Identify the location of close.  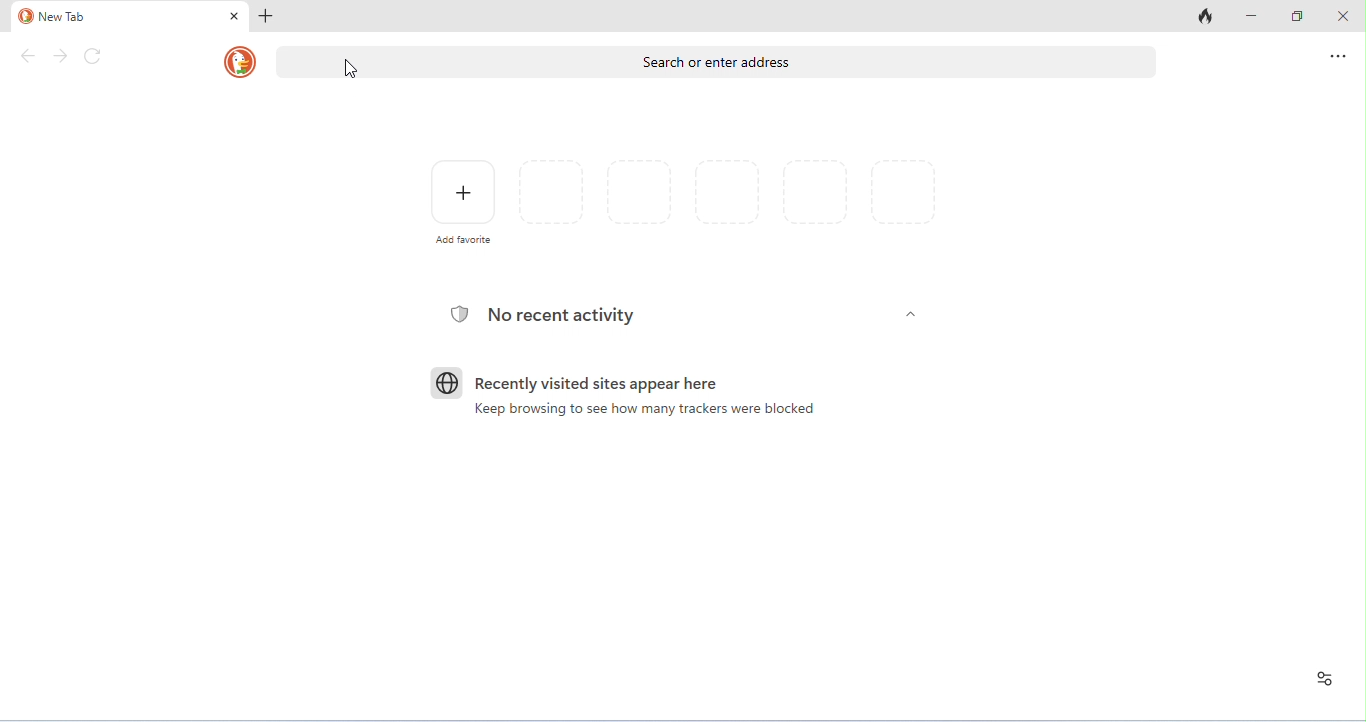
(1343, 15).